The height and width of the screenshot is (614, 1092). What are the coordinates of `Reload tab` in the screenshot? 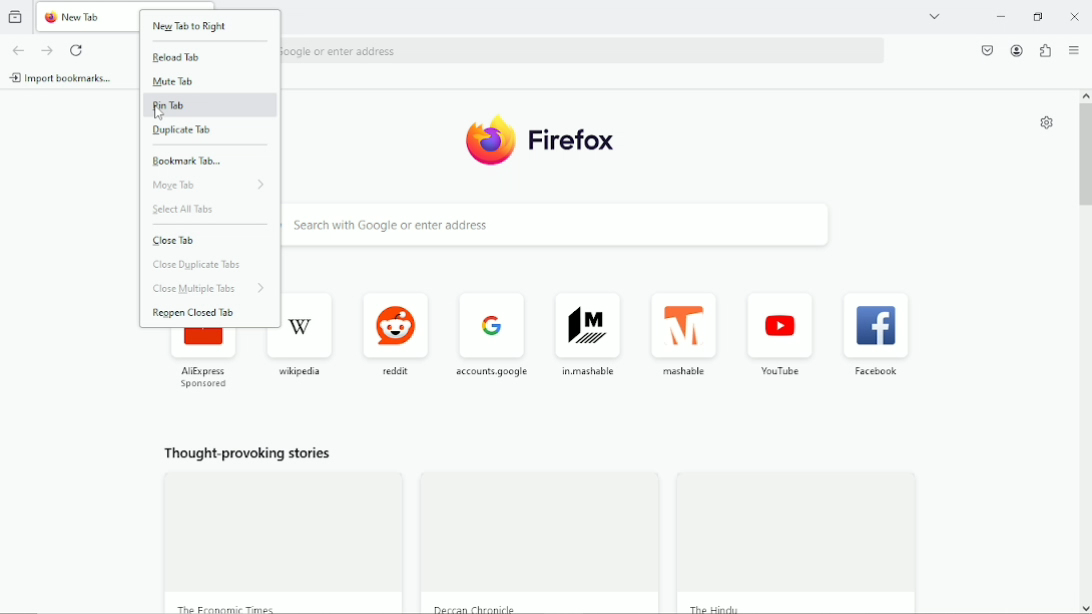 It's located at (177, 57).